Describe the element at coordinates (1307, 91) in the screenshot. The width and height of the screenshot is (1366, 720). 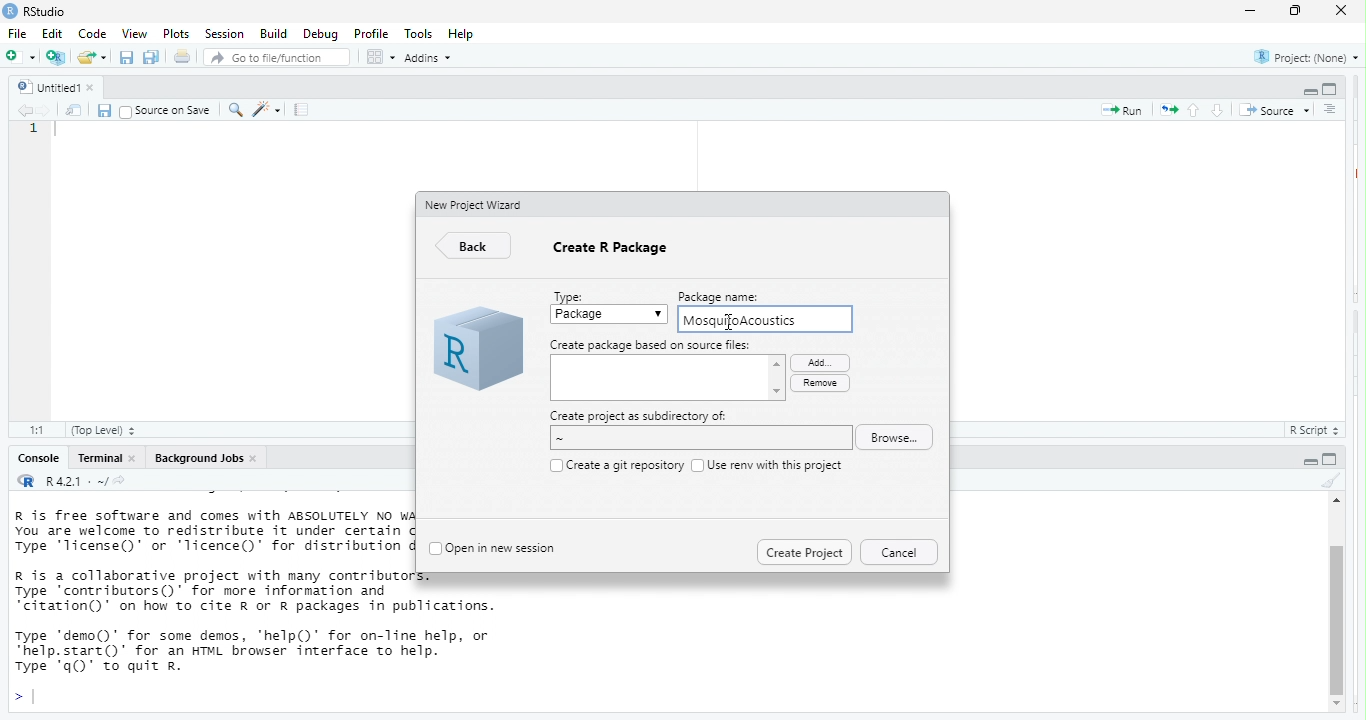
I see `hide r script` at that location.